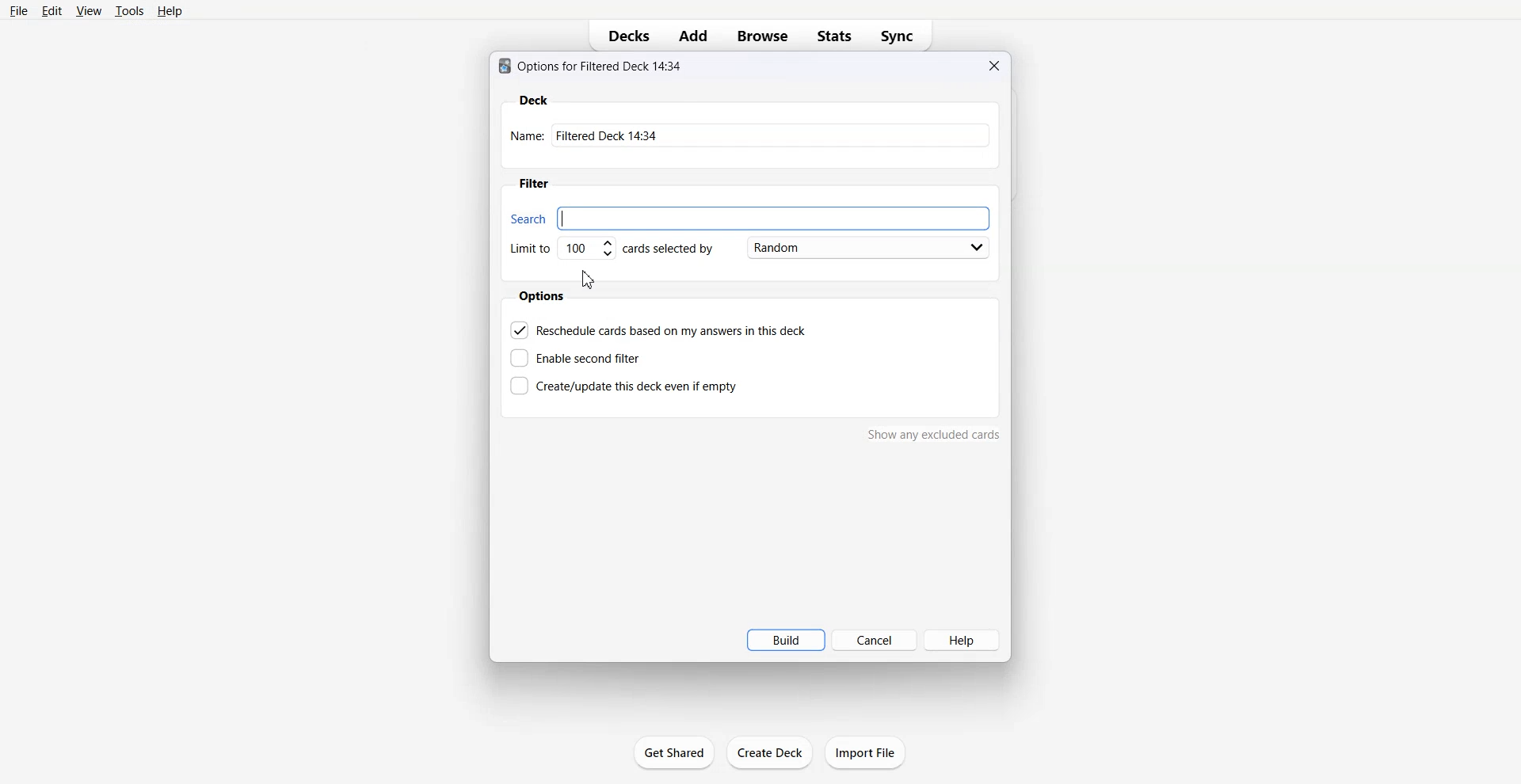 This screenshot has width=1521, height=784. I want to click on Cursor, so click(589, 279).